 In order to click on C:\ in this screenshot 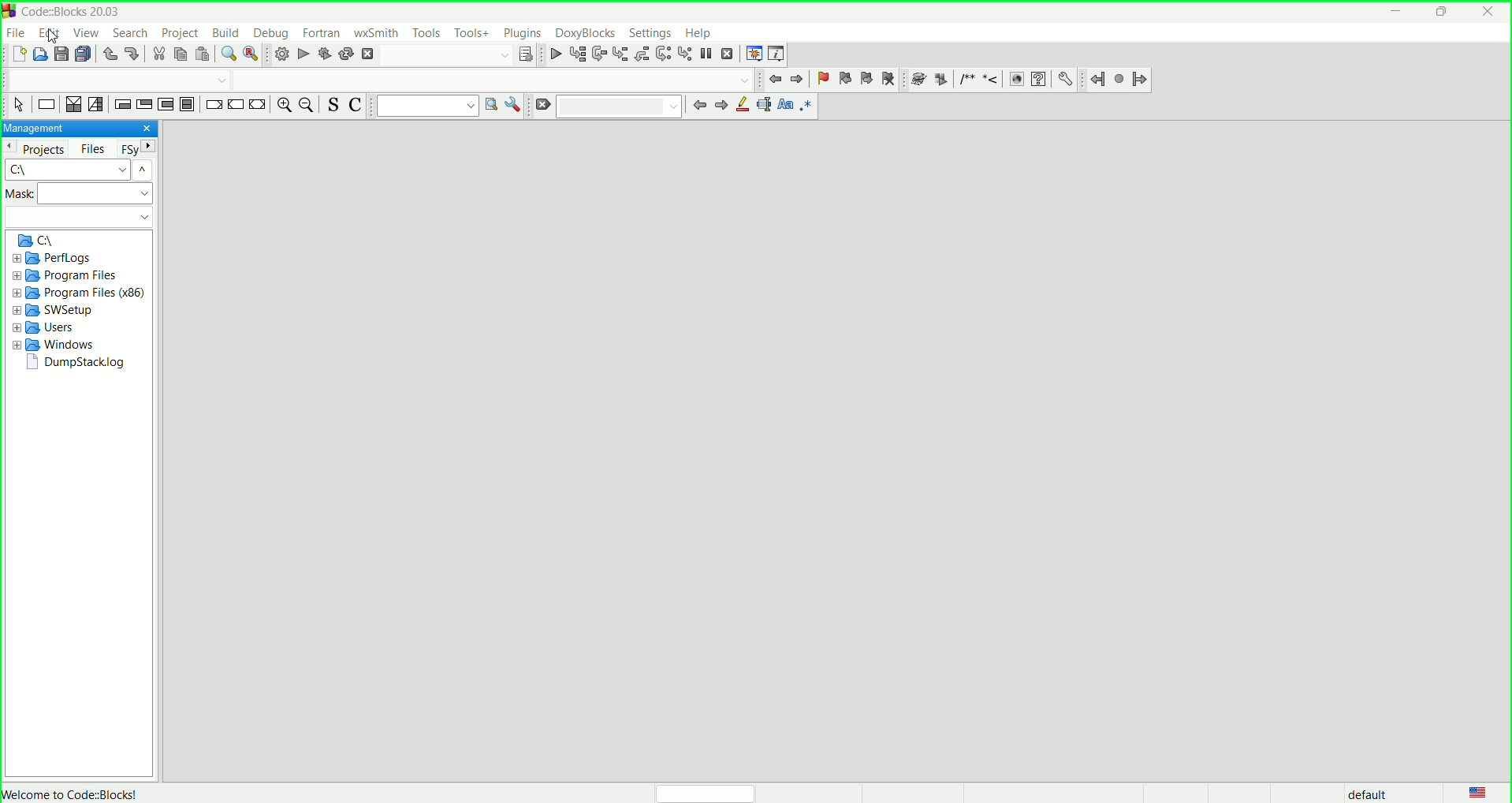, I will do `click(81, 170)`.